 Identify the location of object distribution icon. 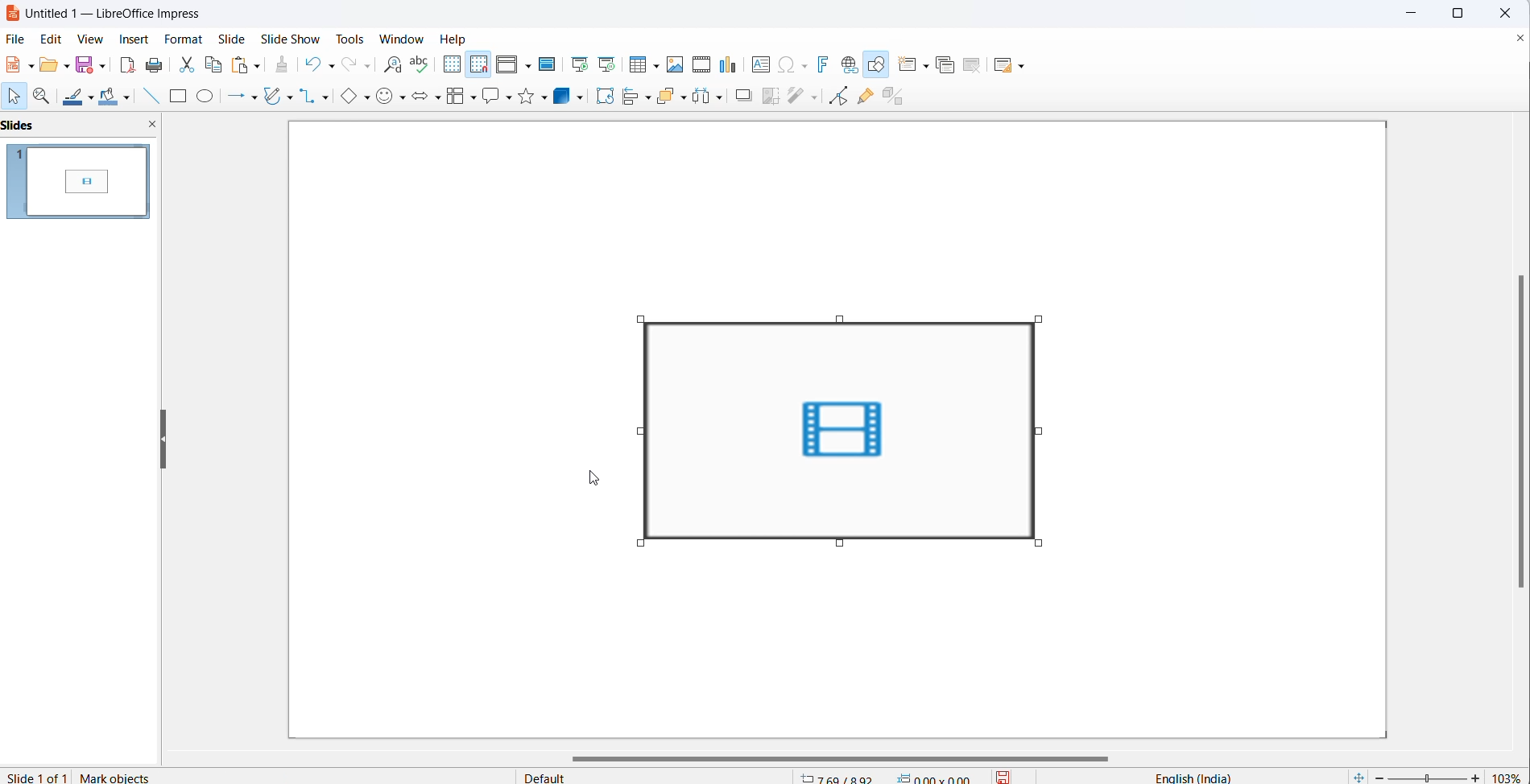
(710, 98).